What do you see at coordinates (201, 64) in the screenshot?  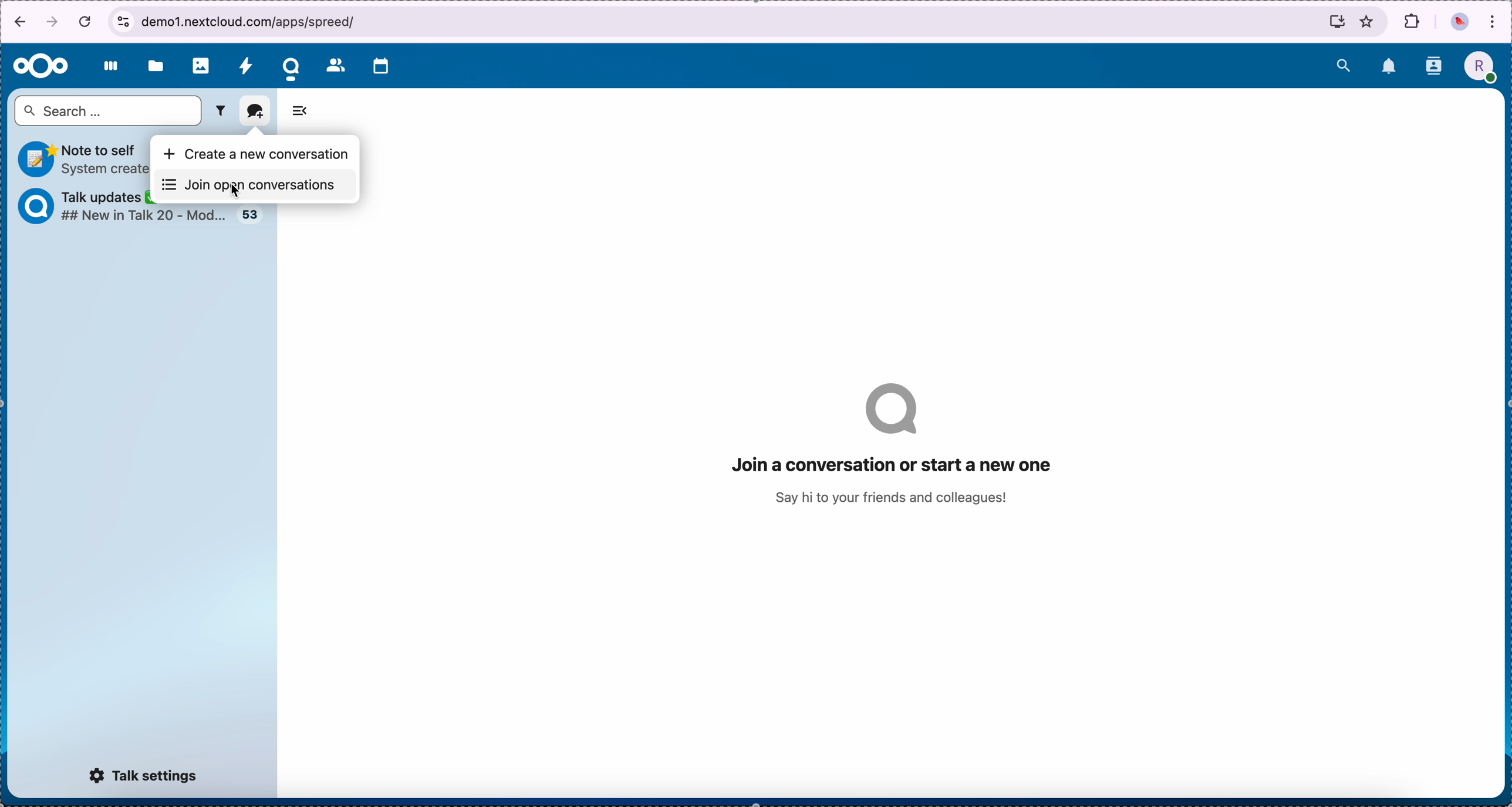 I see `photos` at bounding box center [201, 64].